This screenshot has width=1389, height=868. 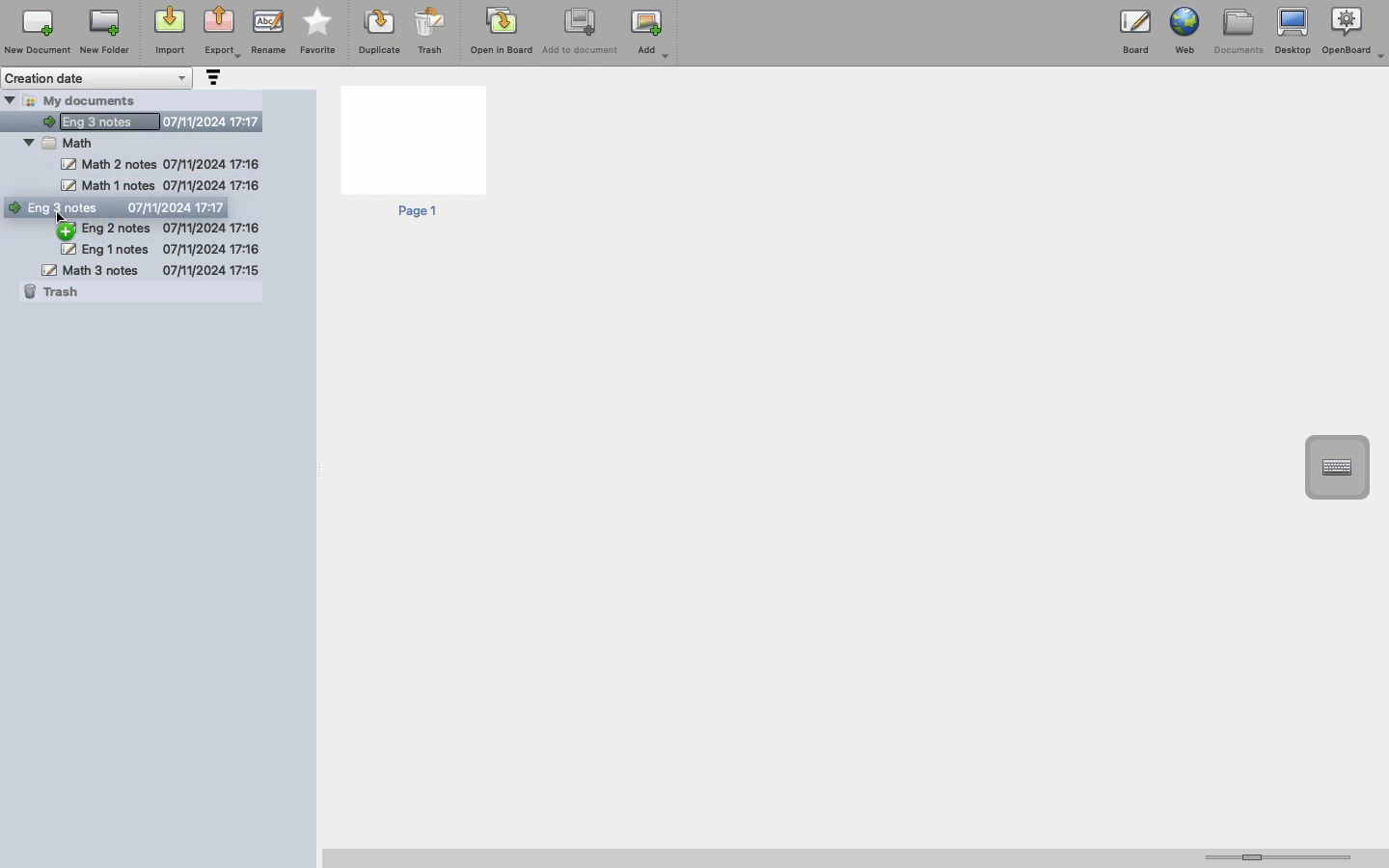 What do you see at coordinates (93, 99) in the screenshot?
I see `My documents` at bounding box center [93, 99].